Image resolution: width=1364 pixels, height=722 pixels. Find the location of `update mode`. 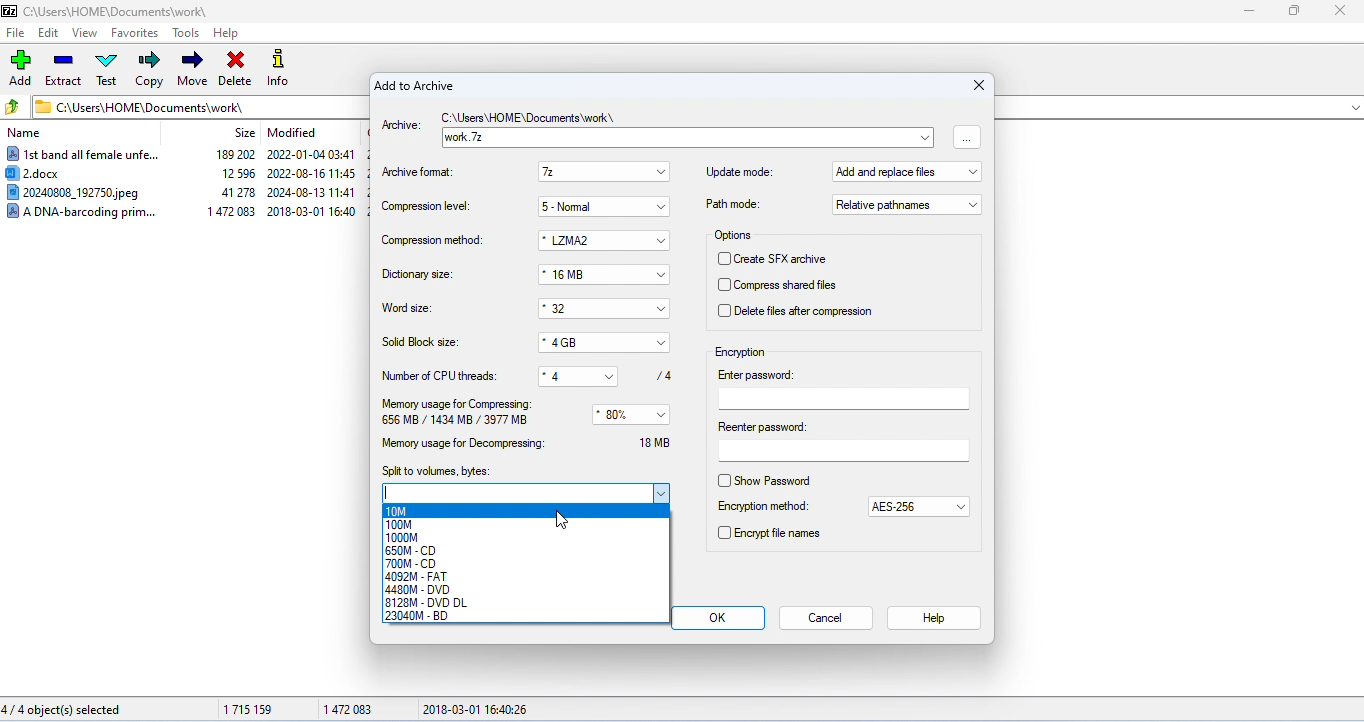

update mode is located at coordinates (740, 171).